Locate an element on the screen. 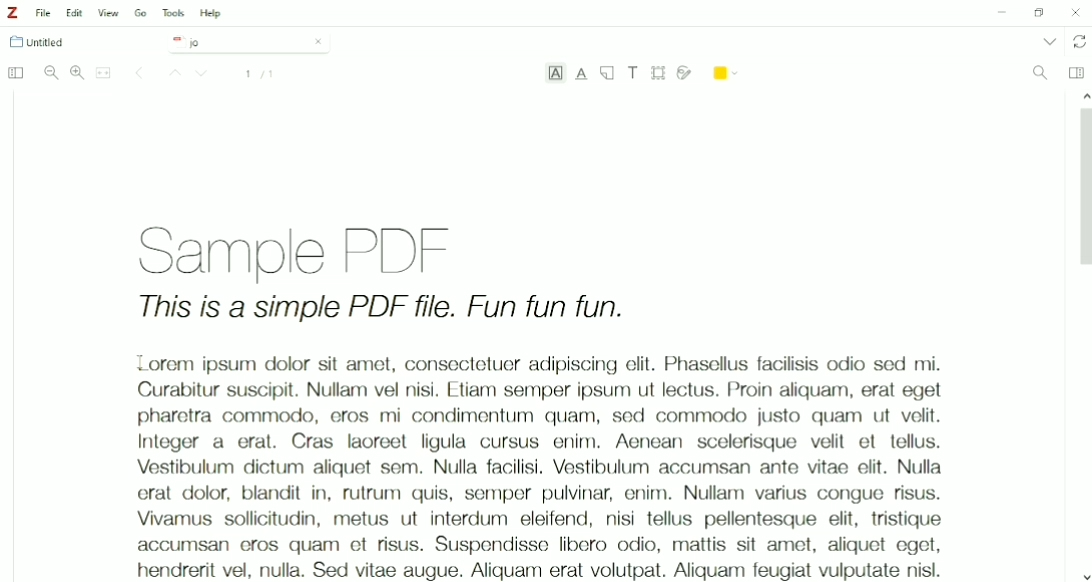  Close is located at coordinates (318, 41).